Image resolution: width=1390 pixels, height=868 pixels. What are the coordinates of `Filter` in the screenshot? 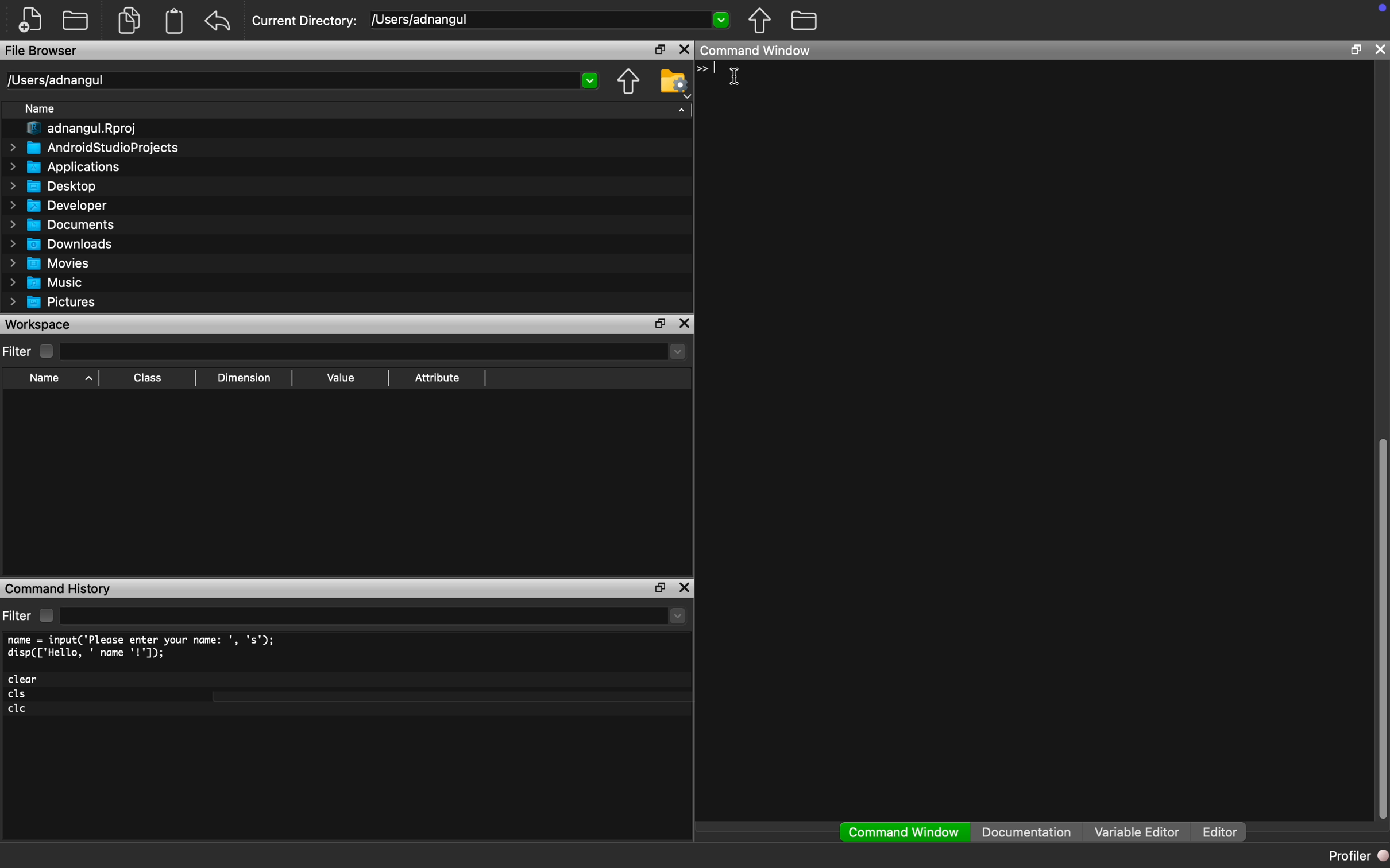 It's located at (30, 351).